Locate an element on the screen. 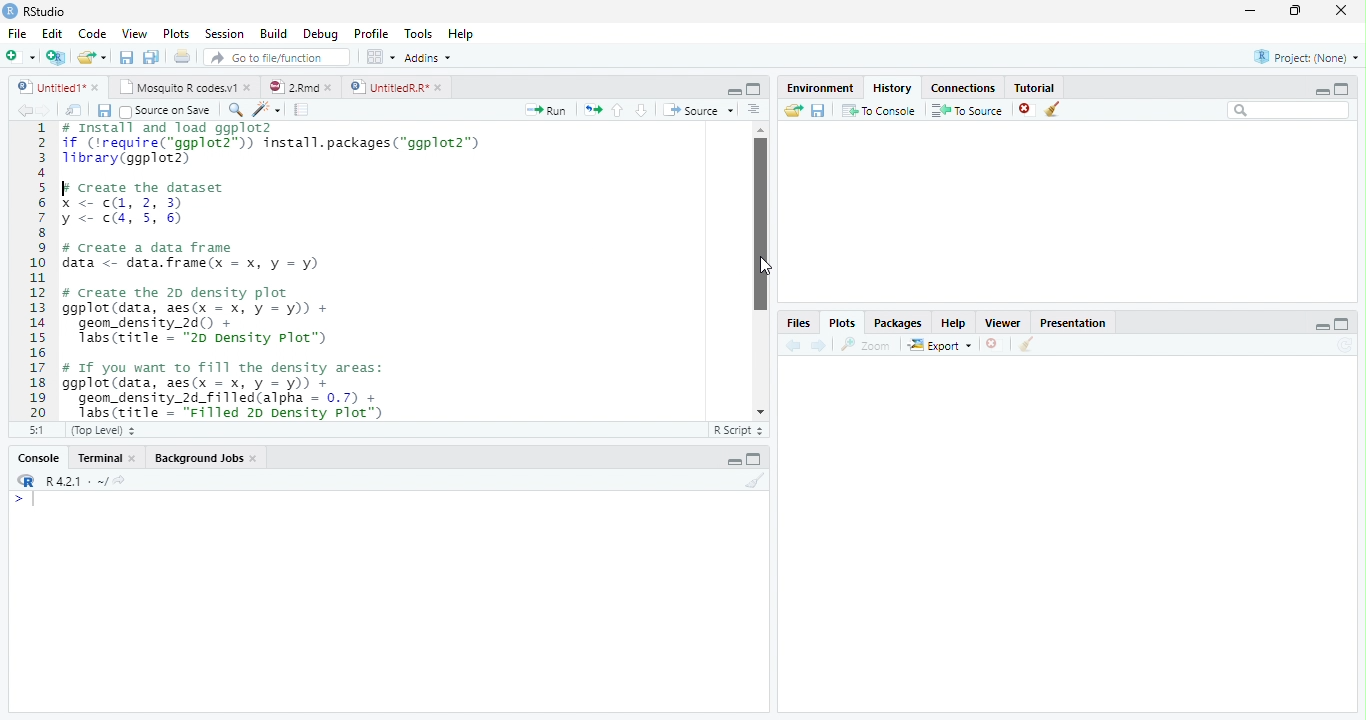 The width and height of the screenshot is (1366, 720). Packages is located at coordinates (897, 325).